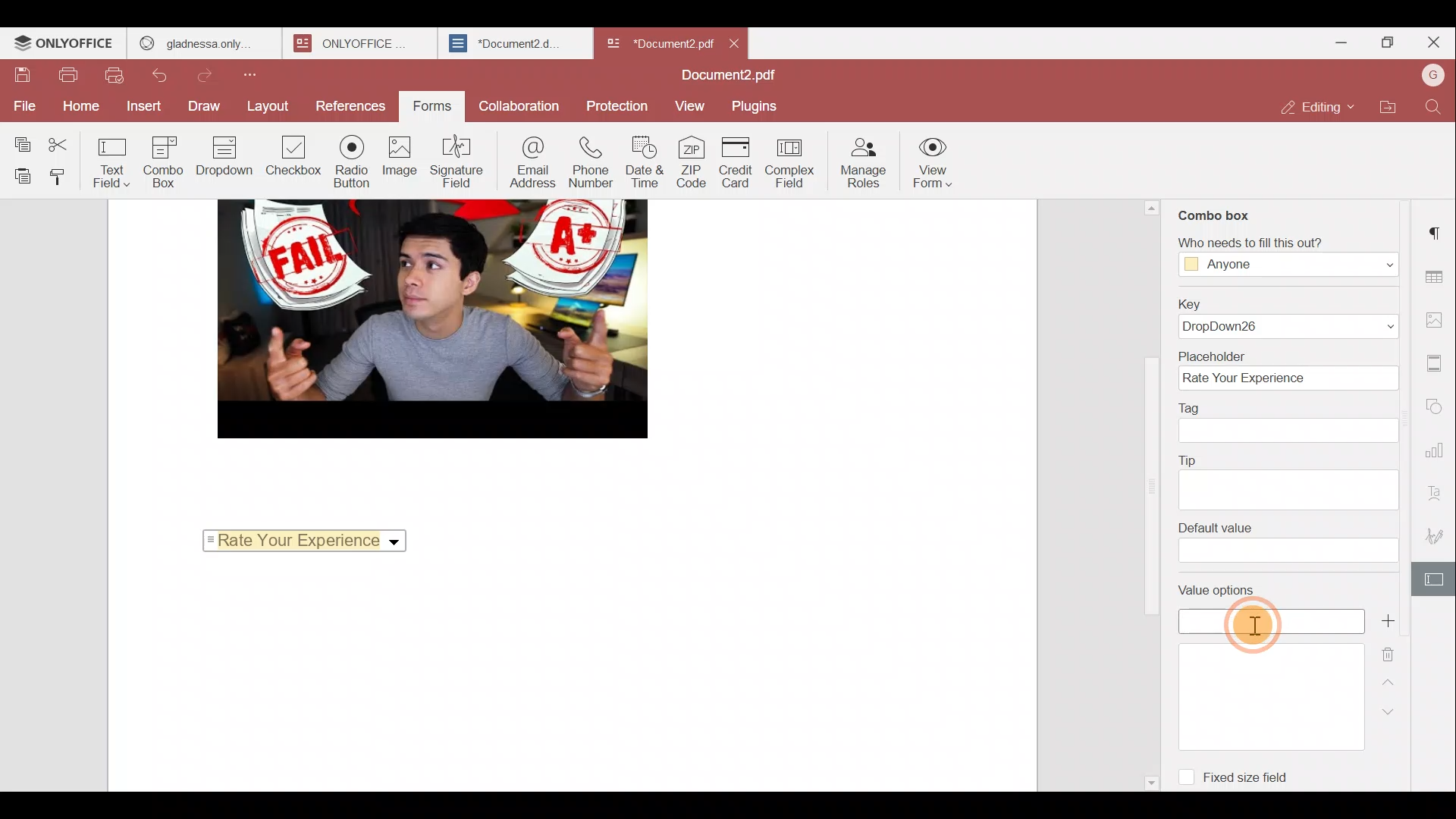 Image resolution: width=1456 pixels, height=819 pixels. Describe the element at coordinates (164, 75) in the screenshot. I see `Undo` at that location.